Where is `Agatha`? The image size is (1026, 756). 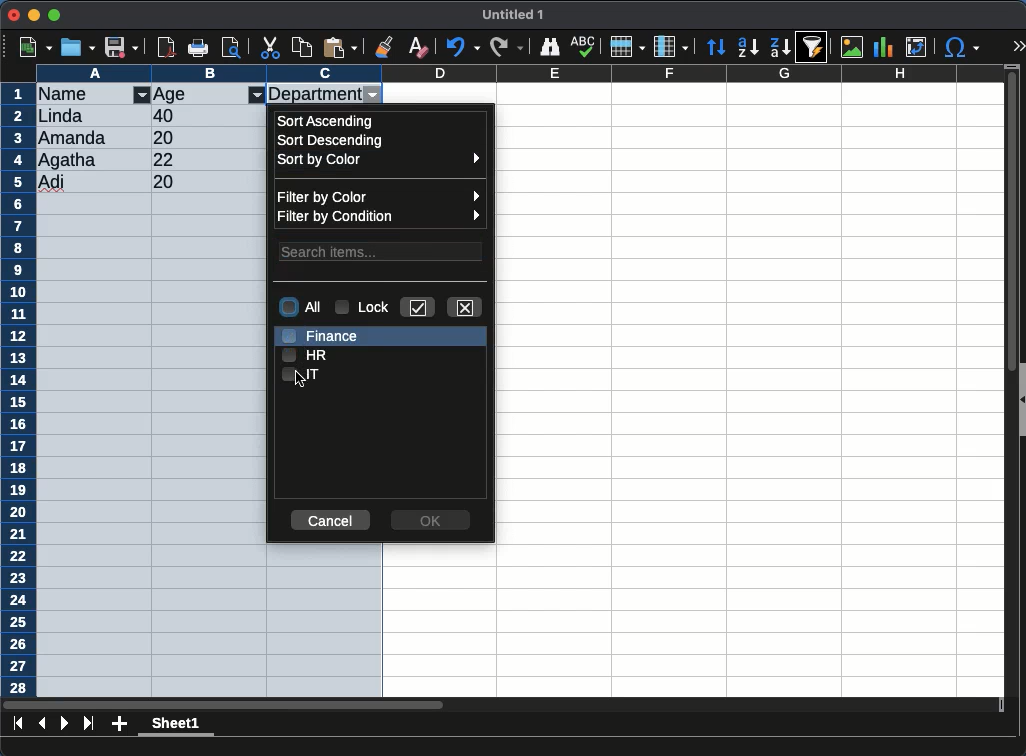
Agatha is located at coordinates (68, 160).